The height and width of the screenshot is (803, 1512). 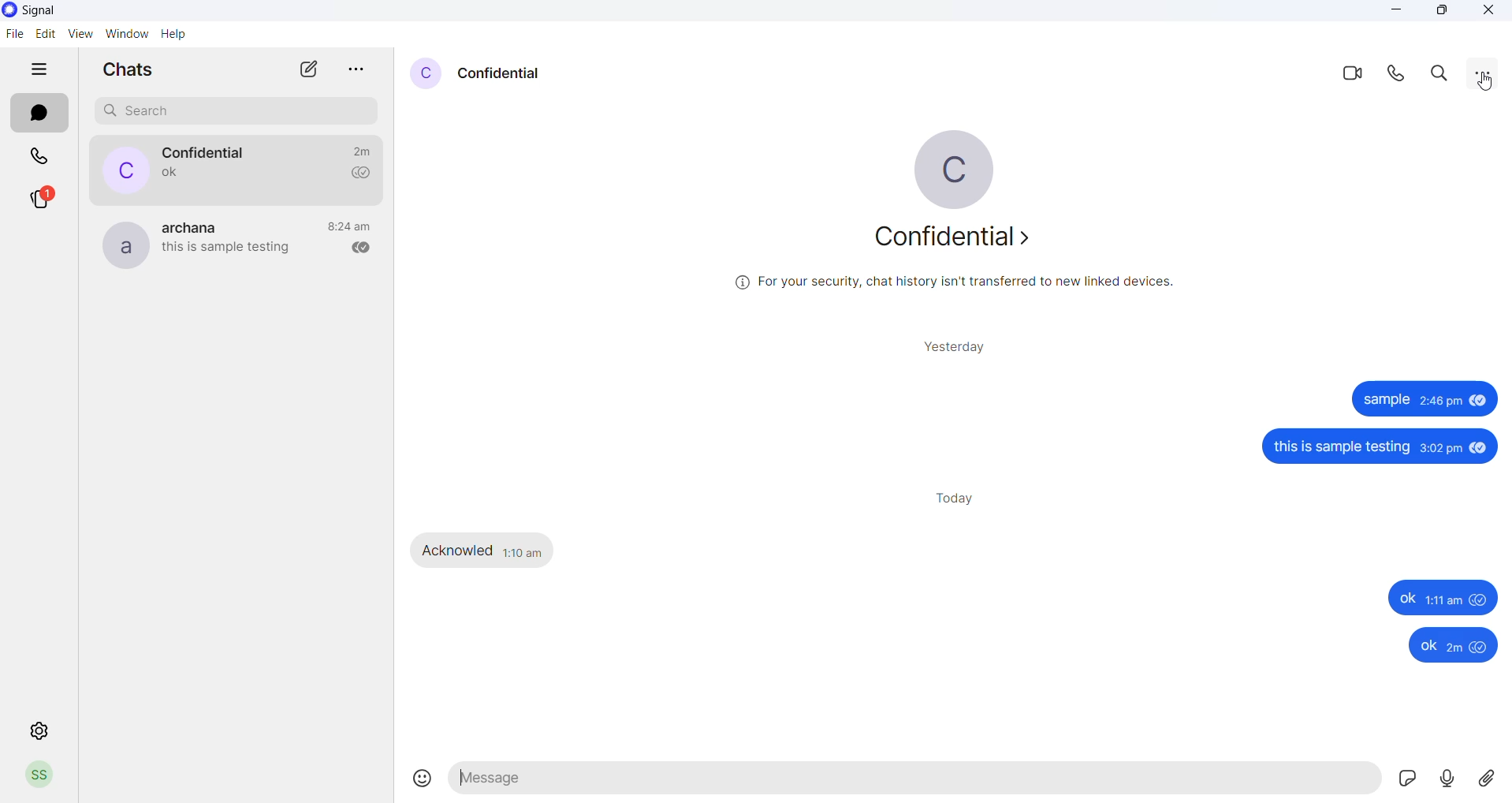 I want to click on chats heading, so click(x=130, y=70).